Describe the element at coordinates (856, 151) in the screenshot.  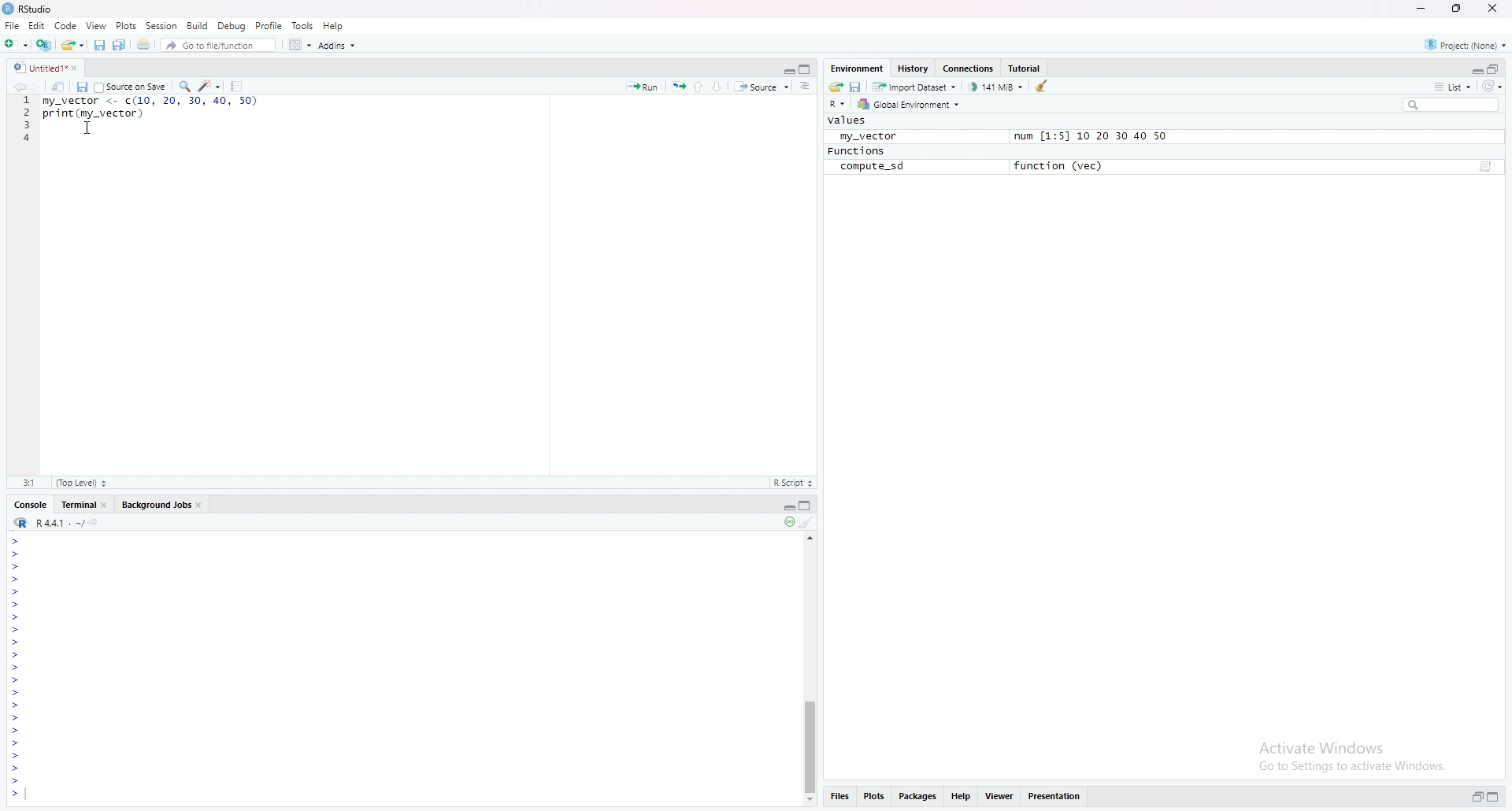
I see `Functions` at that location.